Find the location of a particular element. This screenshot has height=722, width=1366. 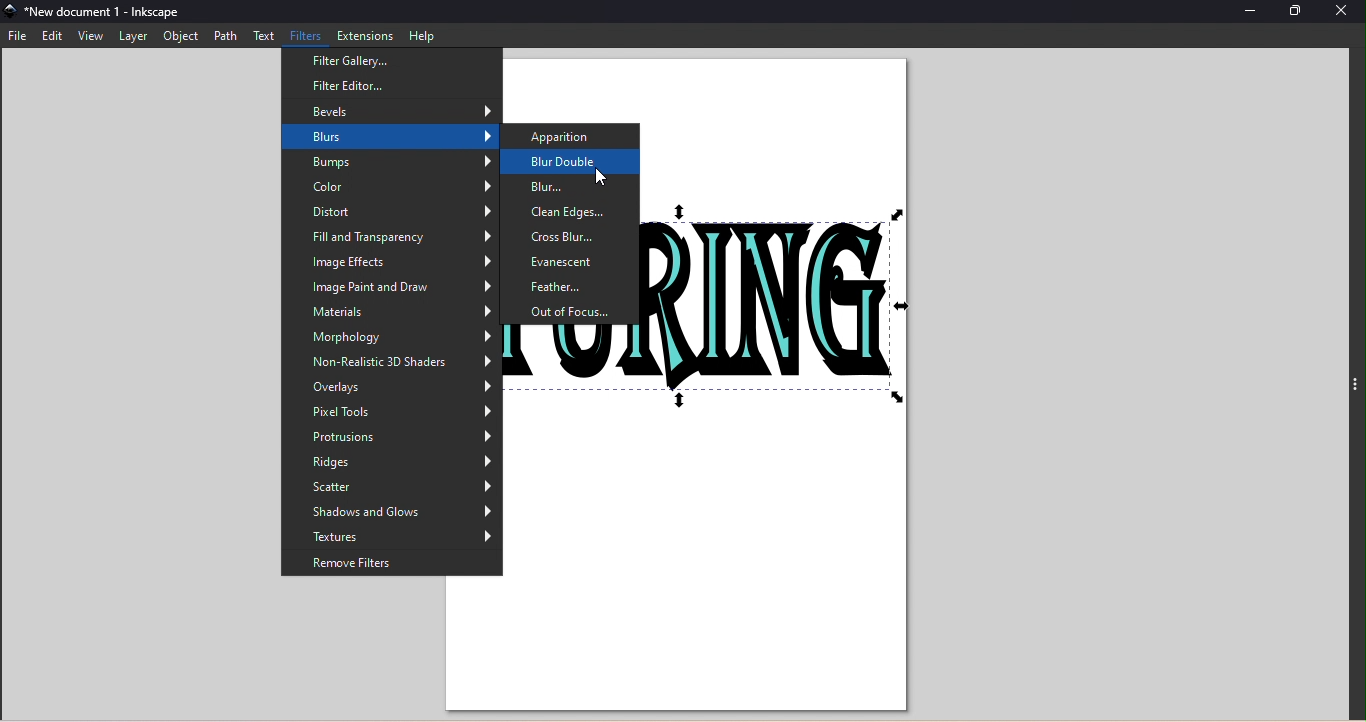

Shadows and glows is located at coordinates (393, 513).